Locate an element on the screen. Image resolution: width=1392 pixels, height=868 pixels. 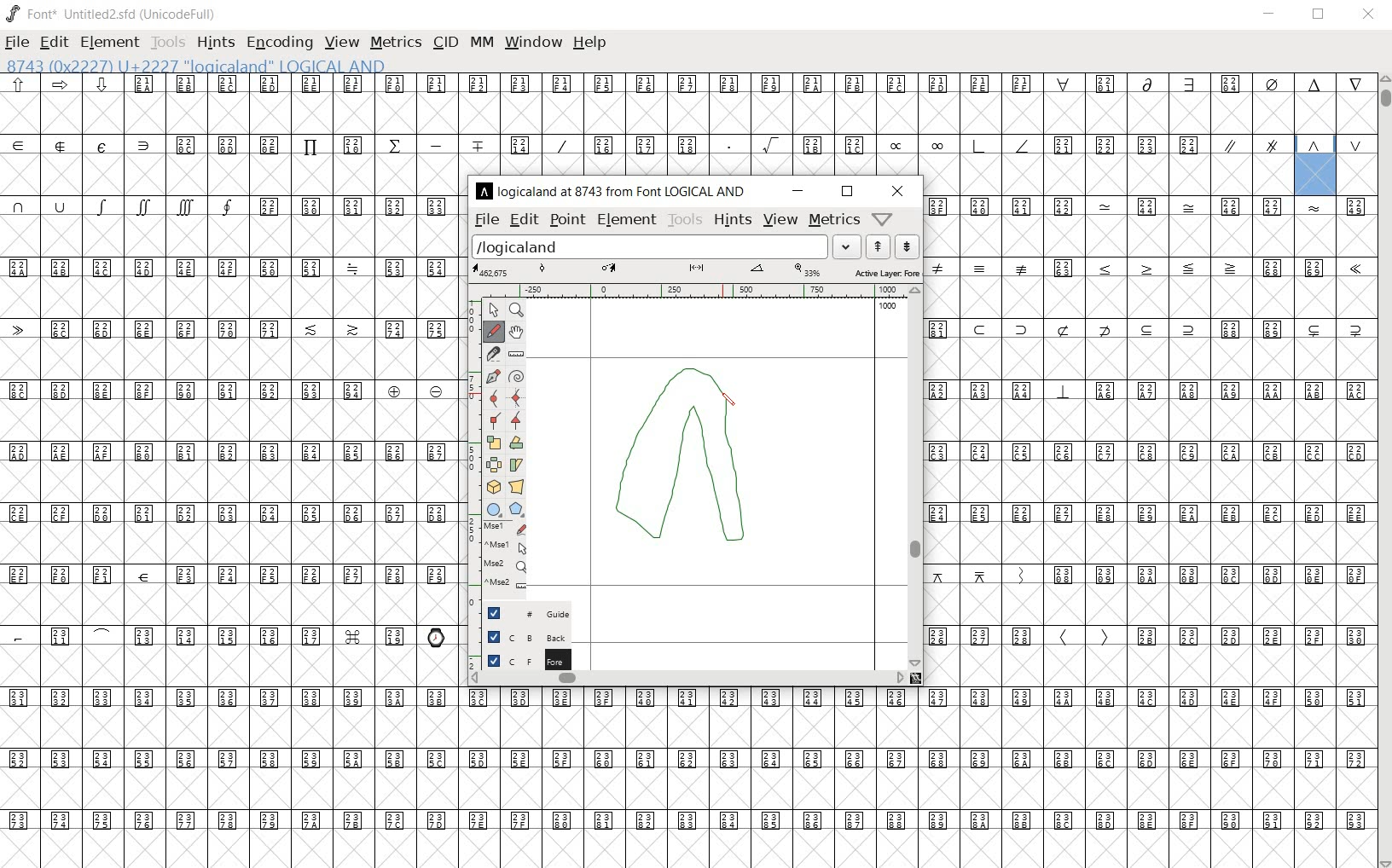
mm is located at coordinates (481, 40).